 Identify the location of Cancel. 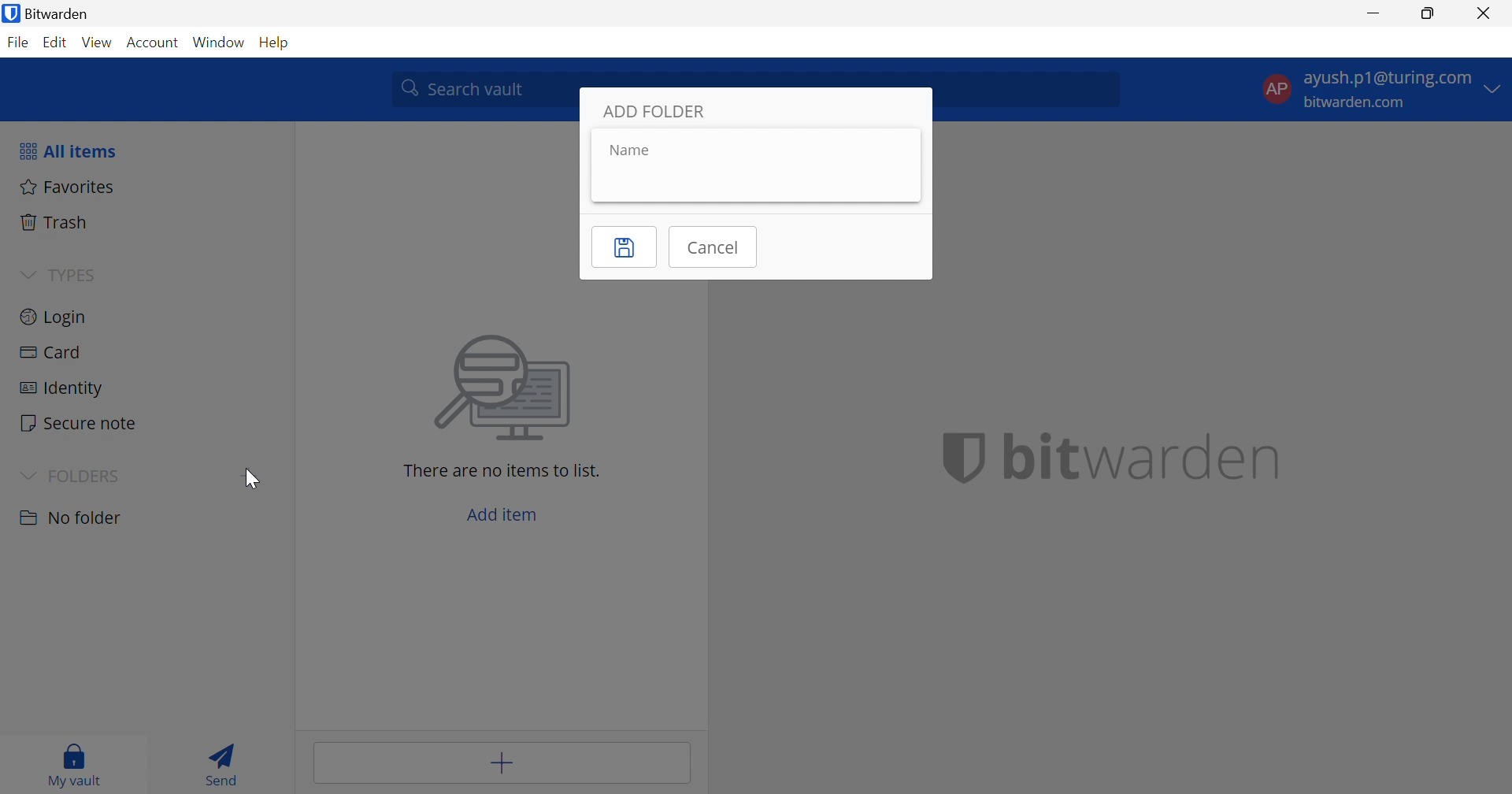
(711, 247).